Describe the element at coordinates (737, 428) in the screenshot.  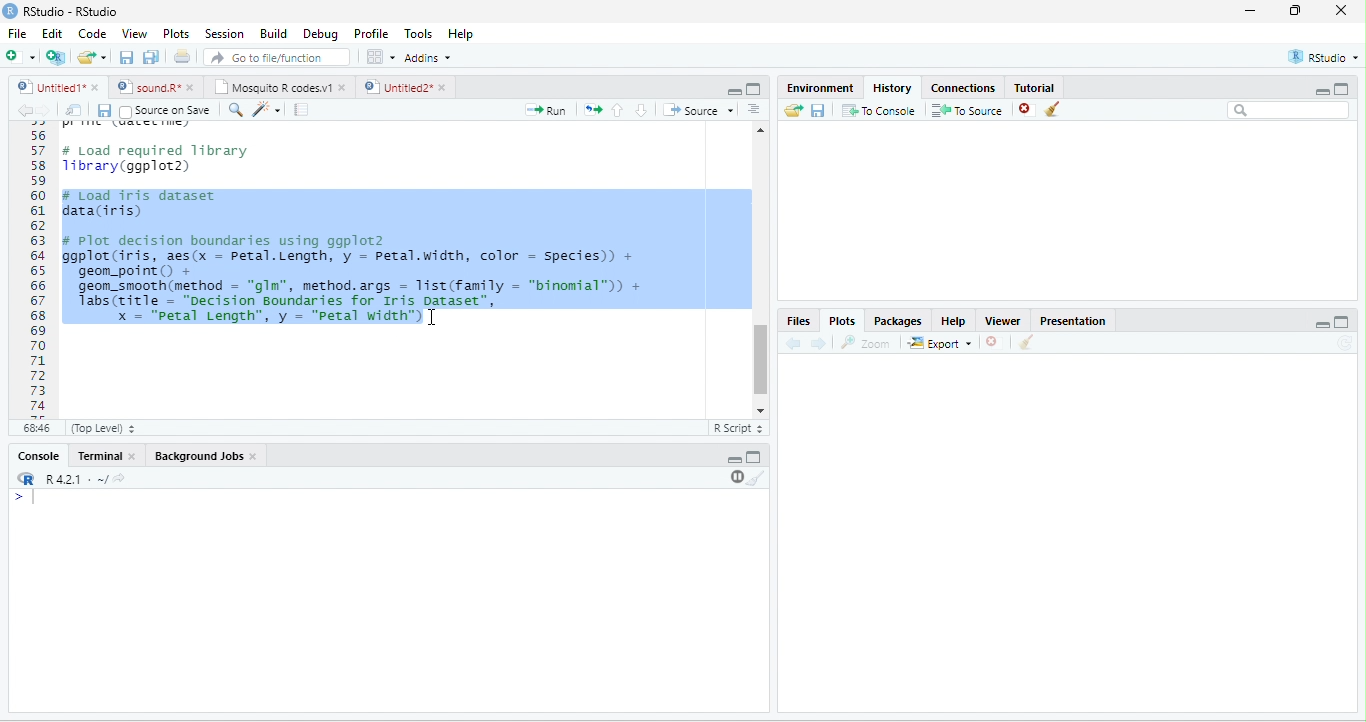
I see `R Script` at that location.